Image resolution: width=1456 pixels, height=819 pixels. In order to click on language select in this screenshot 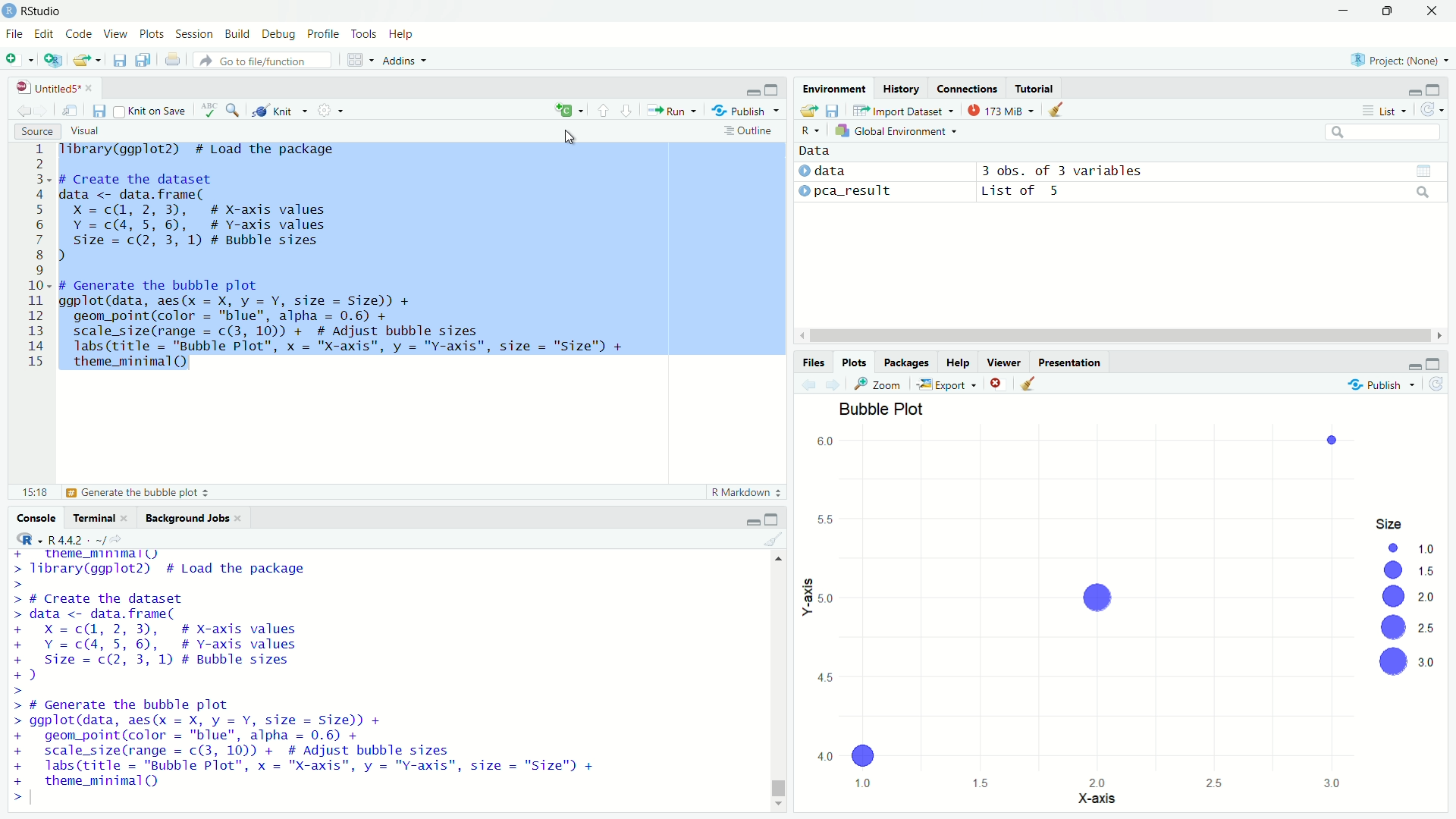, I will do `click(567, 111)`.